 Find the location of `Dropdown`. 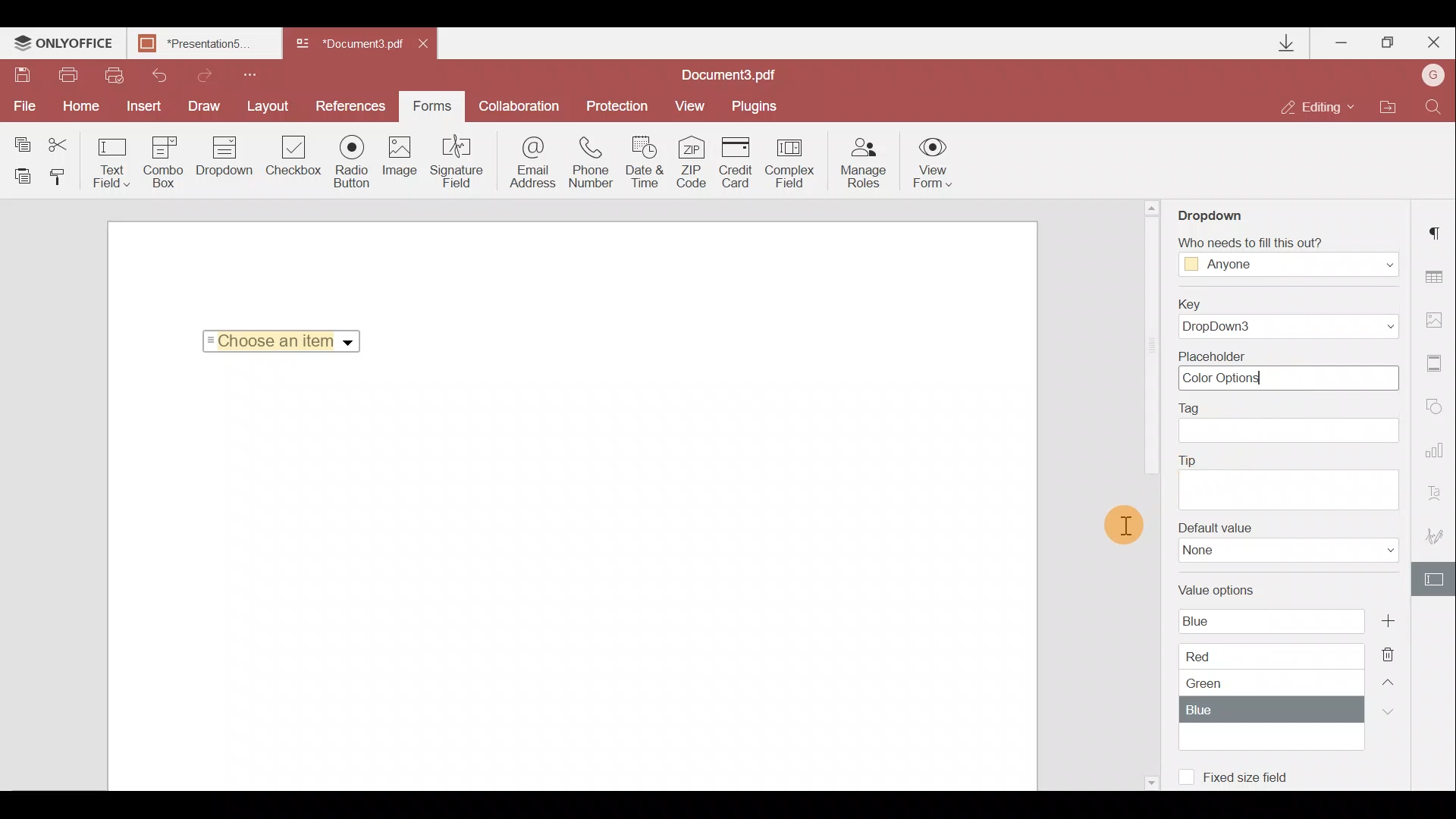

Dropdown is located at coordinates (221, 165).